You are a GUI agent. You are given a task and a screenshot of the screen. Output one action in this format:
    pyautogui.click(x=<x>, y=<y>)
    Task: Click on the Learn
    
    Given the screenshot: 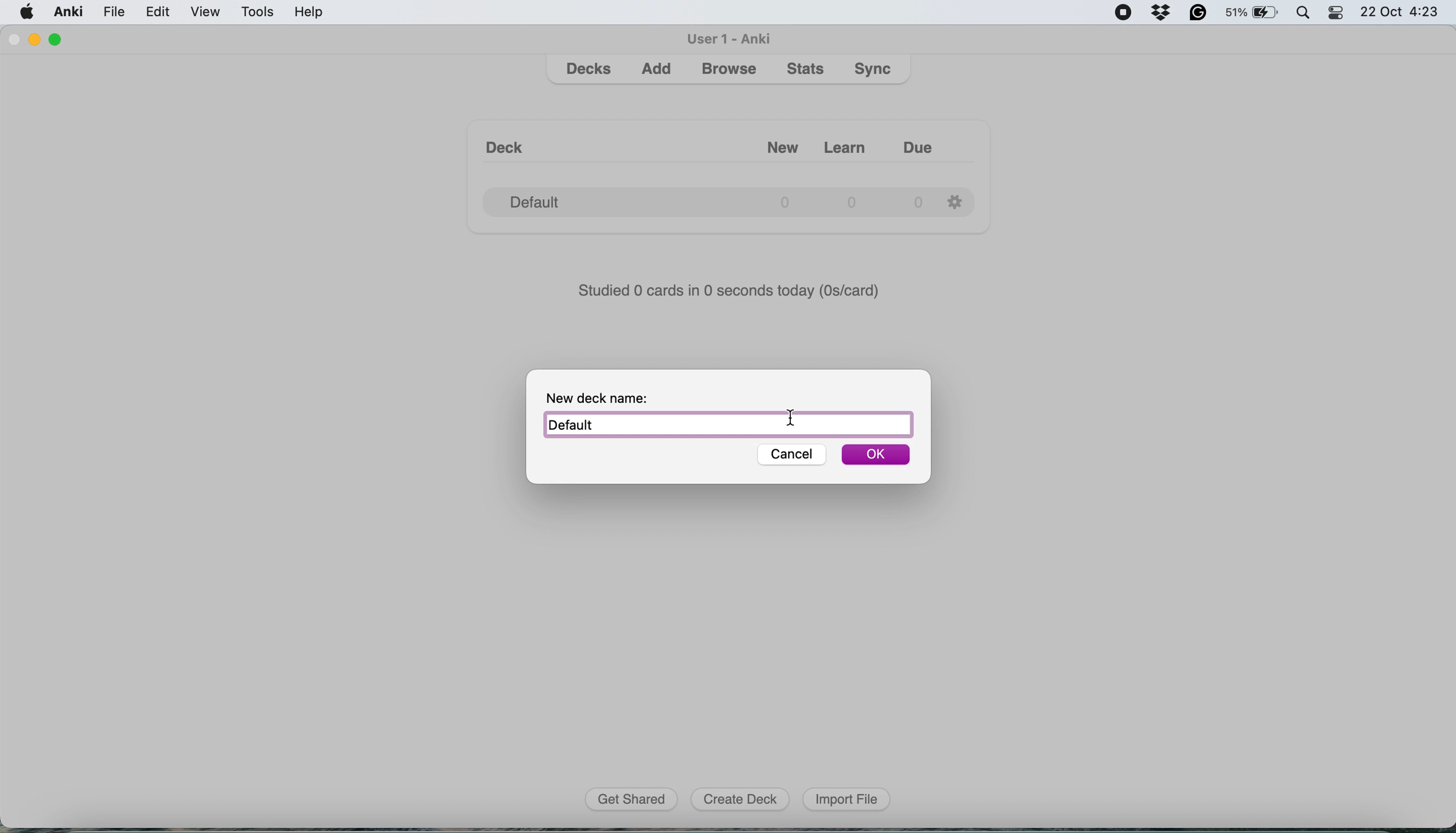 What is the action you would take?
    pyautogui.click(x=848, y=143)
    